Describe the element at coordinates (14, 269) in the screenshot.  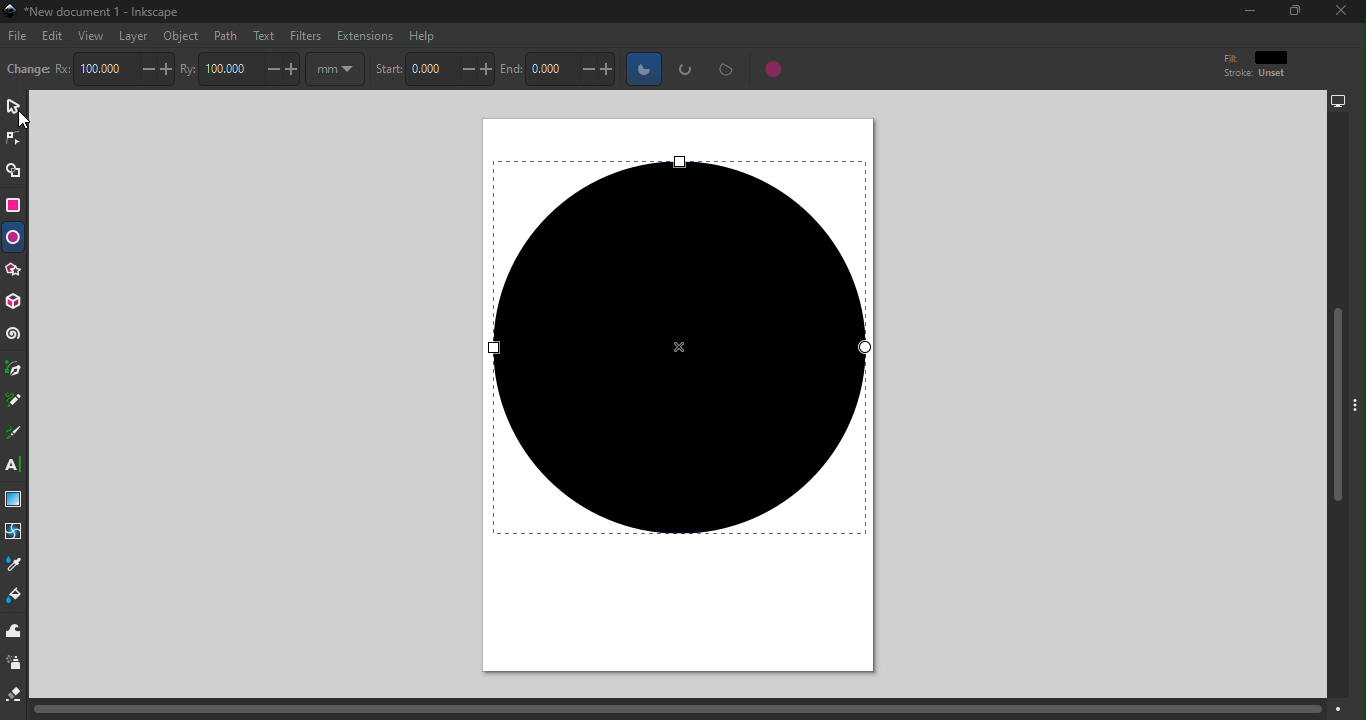
I see `star/polygon tool` at that location.